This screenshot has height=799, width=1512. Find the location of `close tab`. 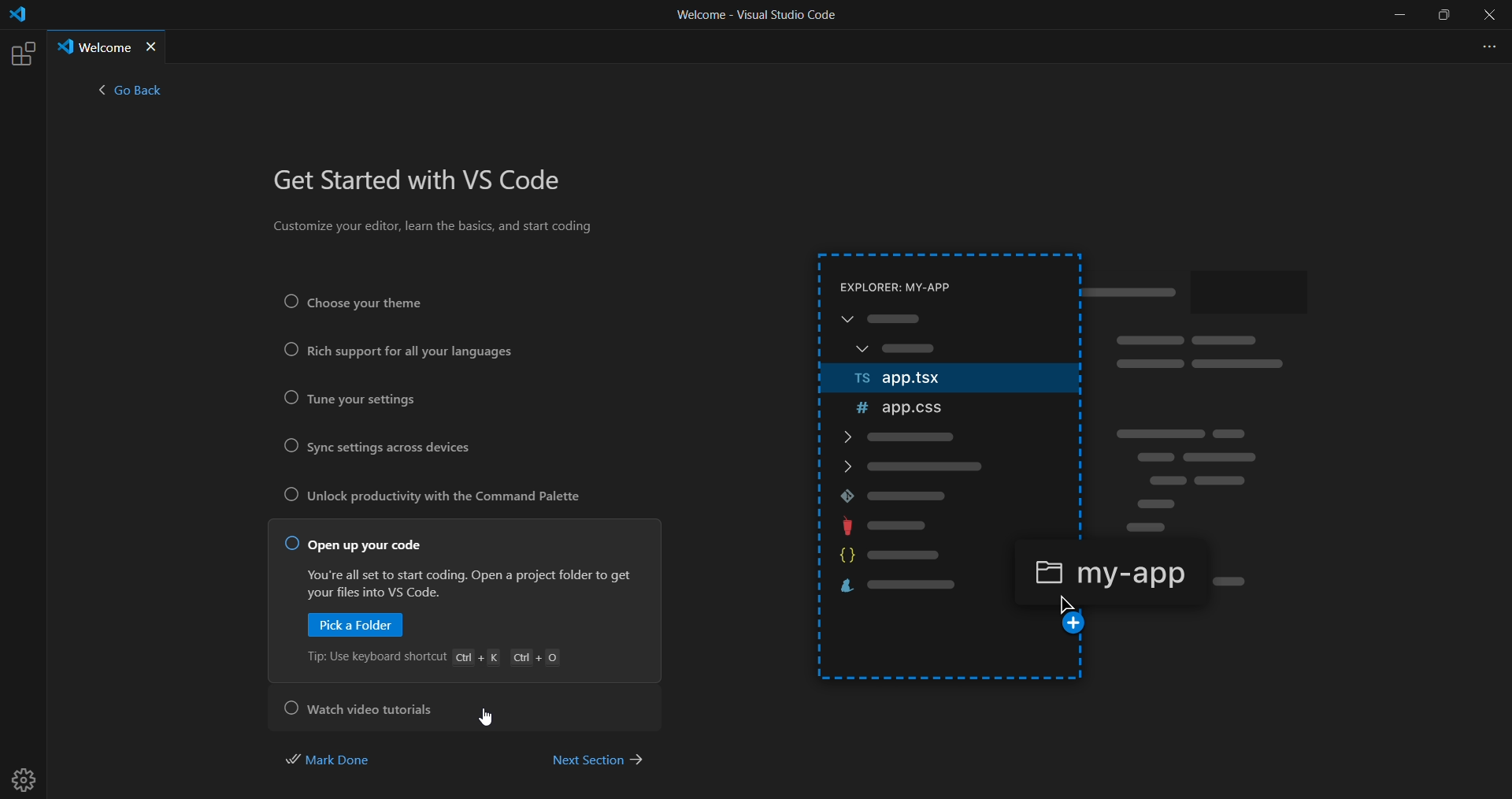

close tab is located at coordinates (153, 47).